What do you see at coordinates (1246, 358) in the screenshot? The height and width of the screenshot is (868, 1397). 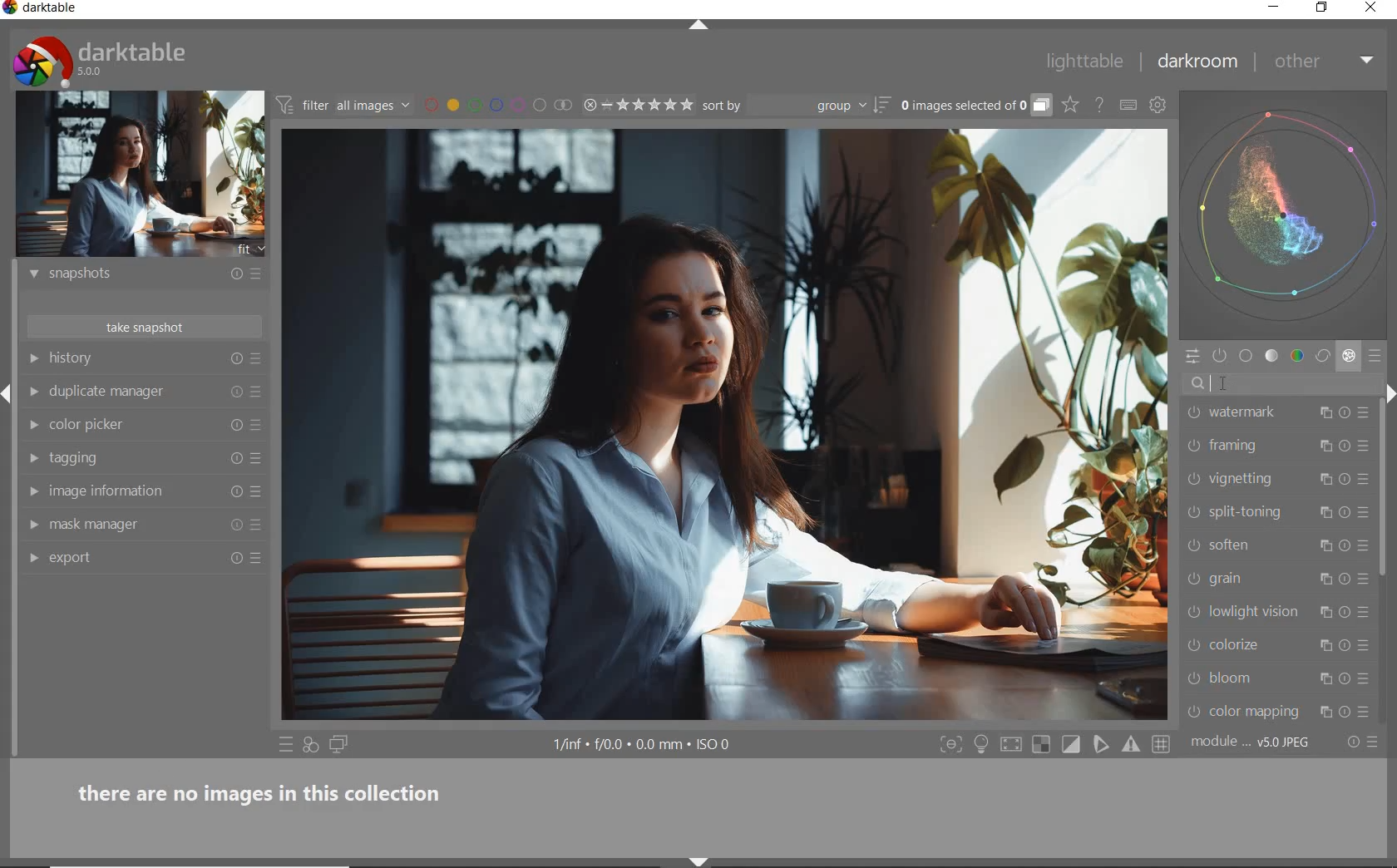 I see `base` at bounding box center [1246, 358].